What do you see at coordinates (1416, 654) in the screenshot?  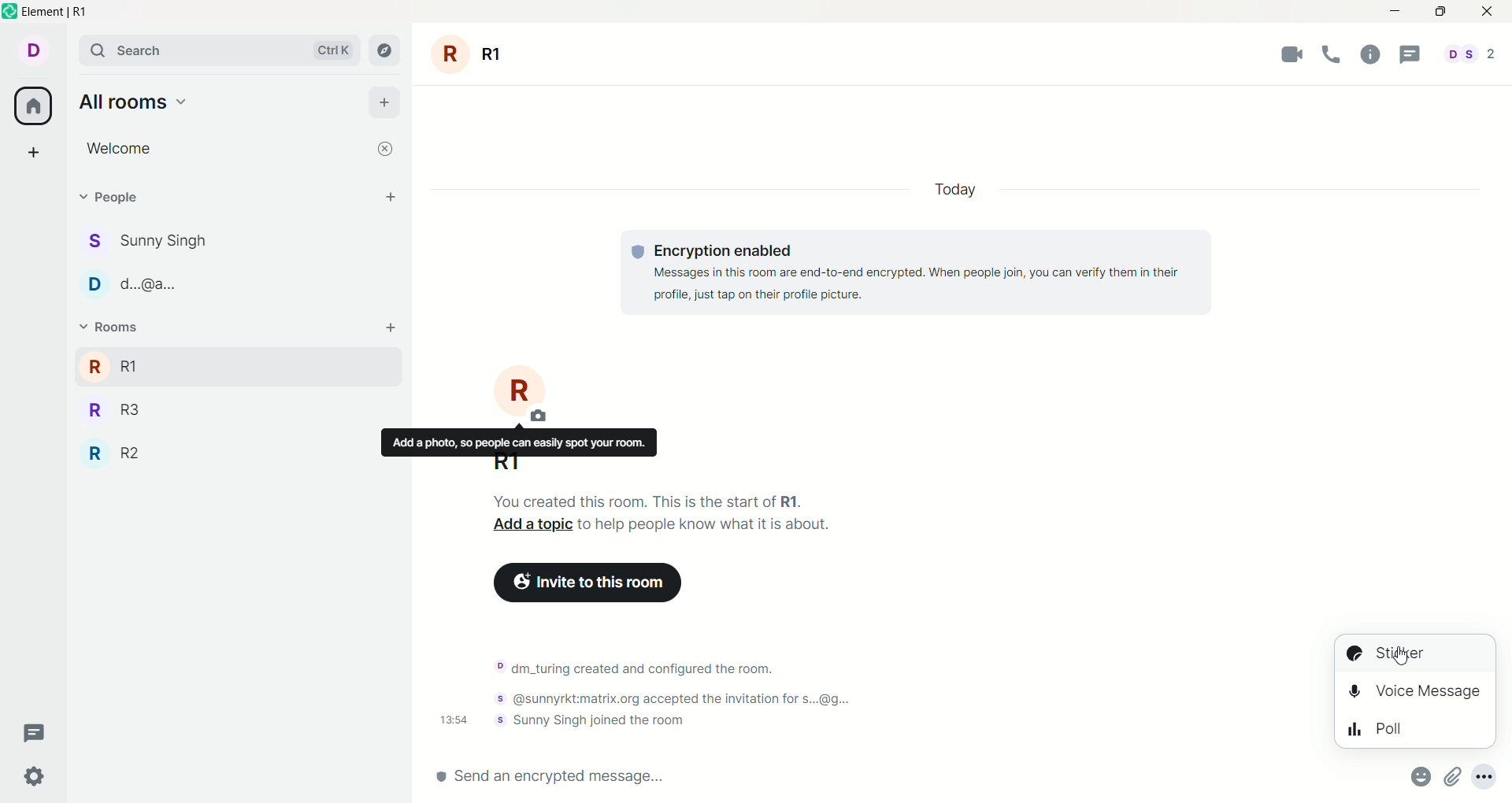 I see `sticker` at bounding box center [1416, 654].